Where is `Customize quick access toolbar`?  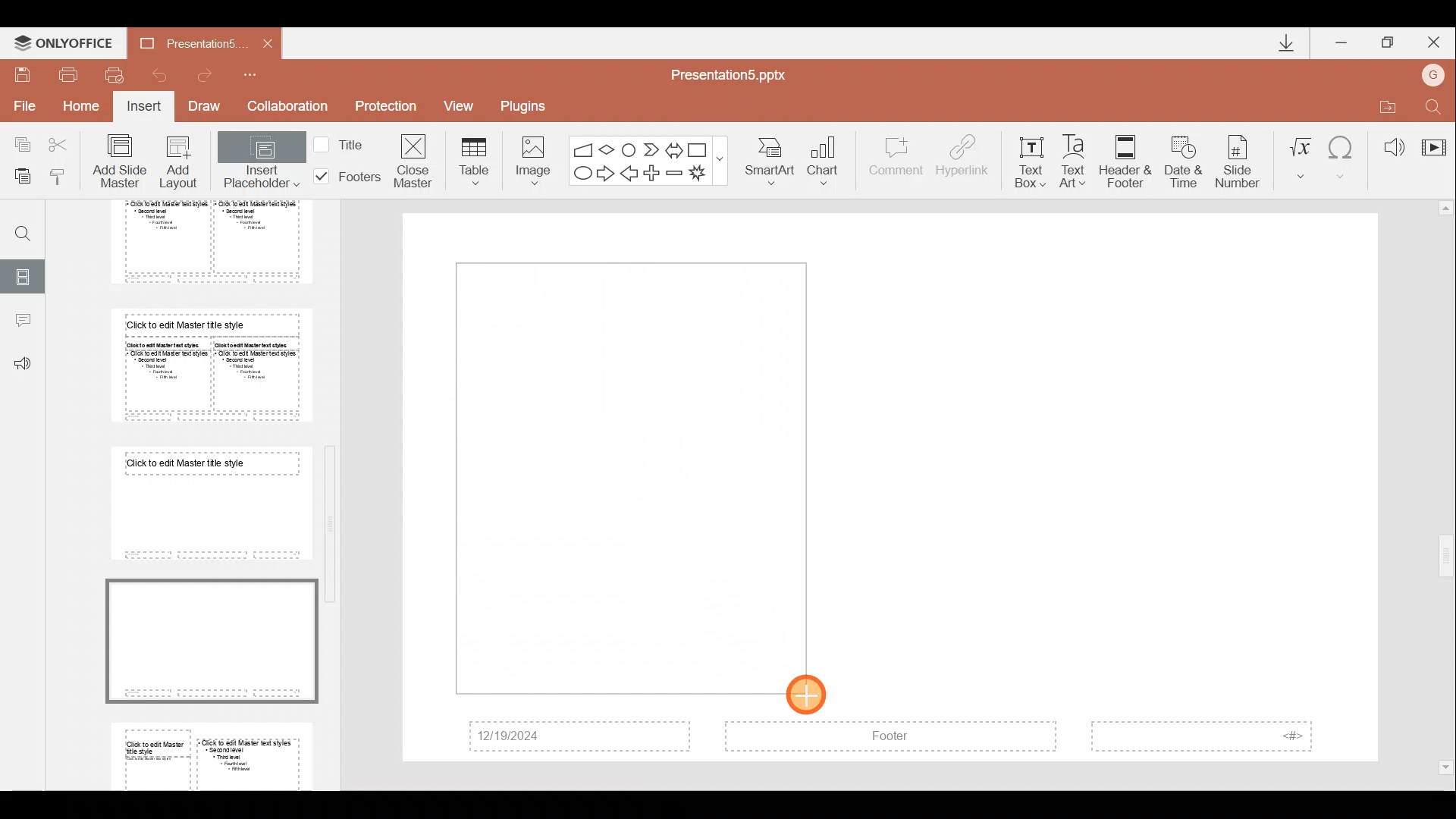 Customize quick access toolbar is located at coordinates (260, 74).